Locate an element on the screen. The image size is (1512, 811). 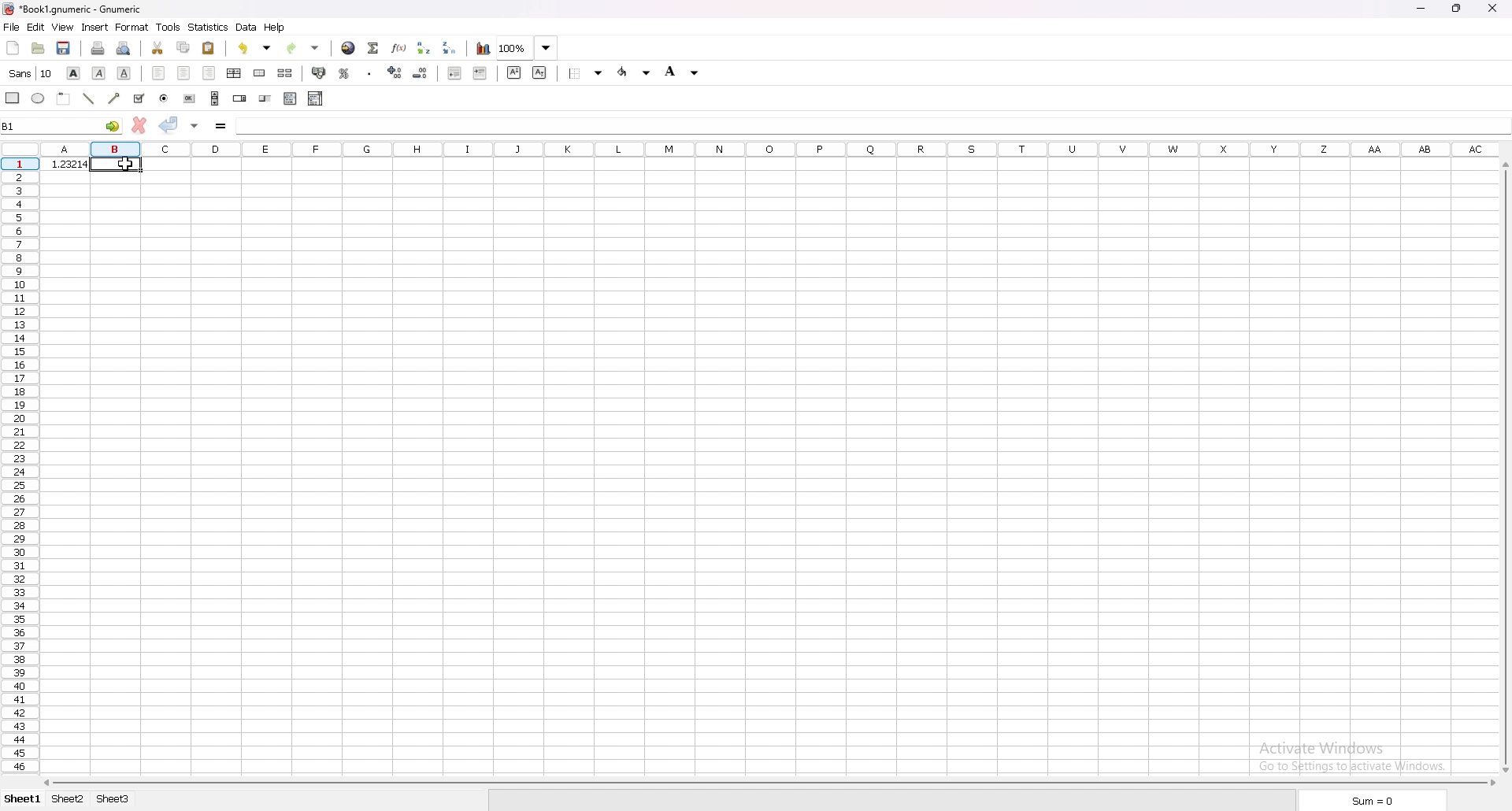
zoom is located at coordinates (524, 49).